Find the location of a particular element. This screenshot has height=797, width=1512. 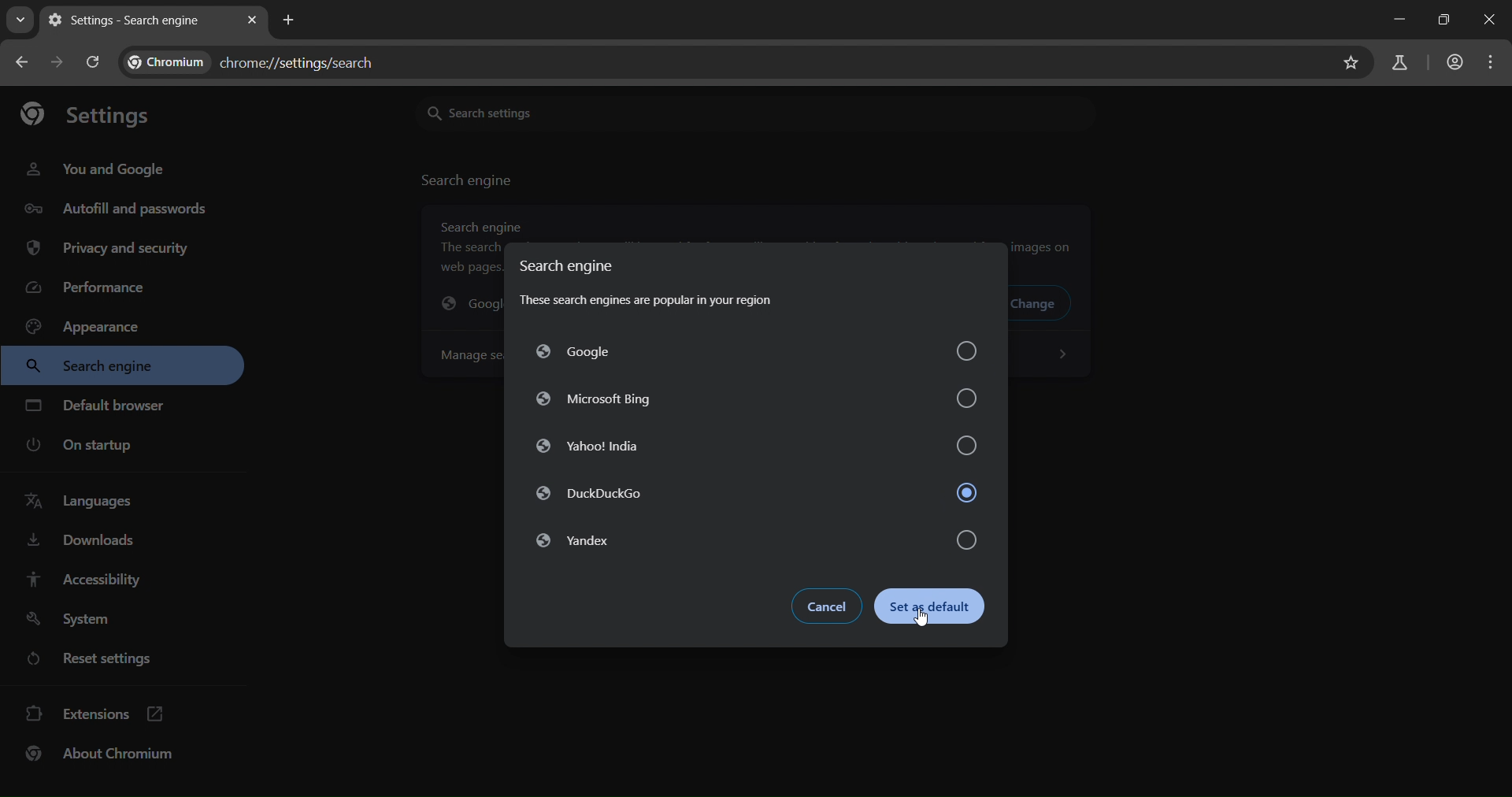

system is located at coordinates (79, 618).